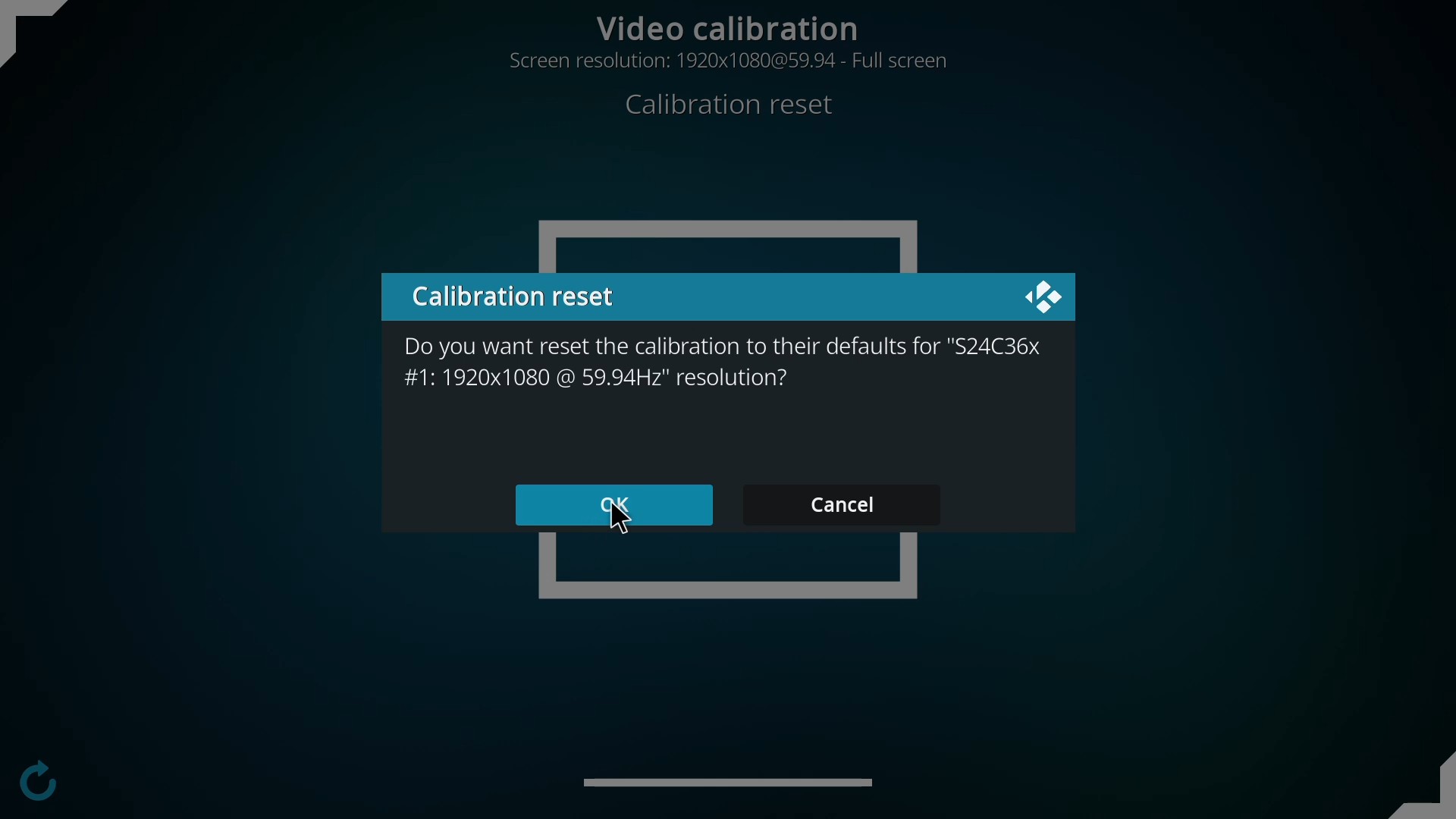 The image size is (1456, 819). Describe the element at coordinates (733, 23) in the screenshot. I see `video calibration` at that location.